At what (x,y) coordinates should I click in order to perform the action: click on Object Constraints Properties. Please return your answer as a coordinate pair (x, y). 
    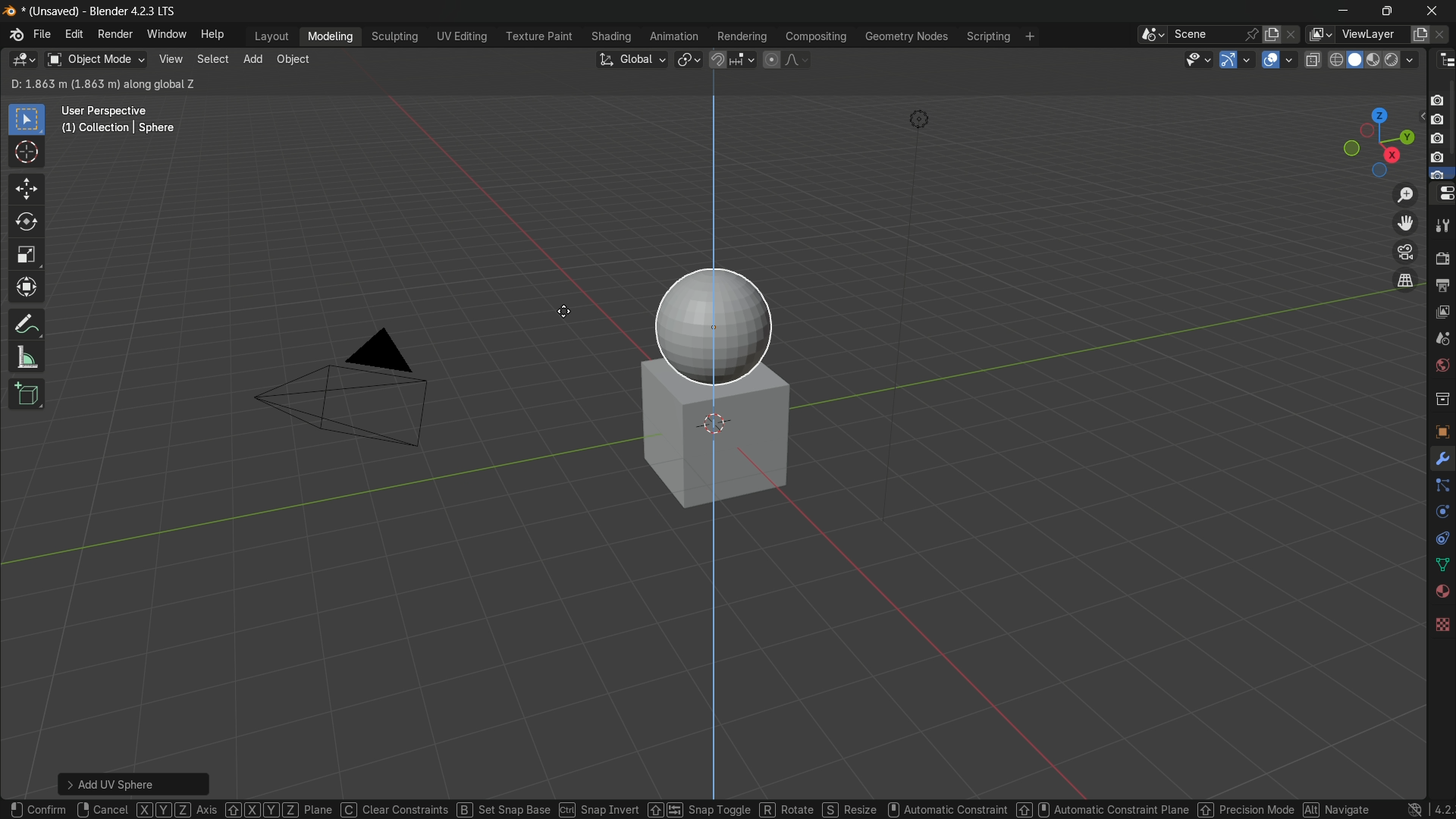
    Looking at the image, I should click on (1442, 535).